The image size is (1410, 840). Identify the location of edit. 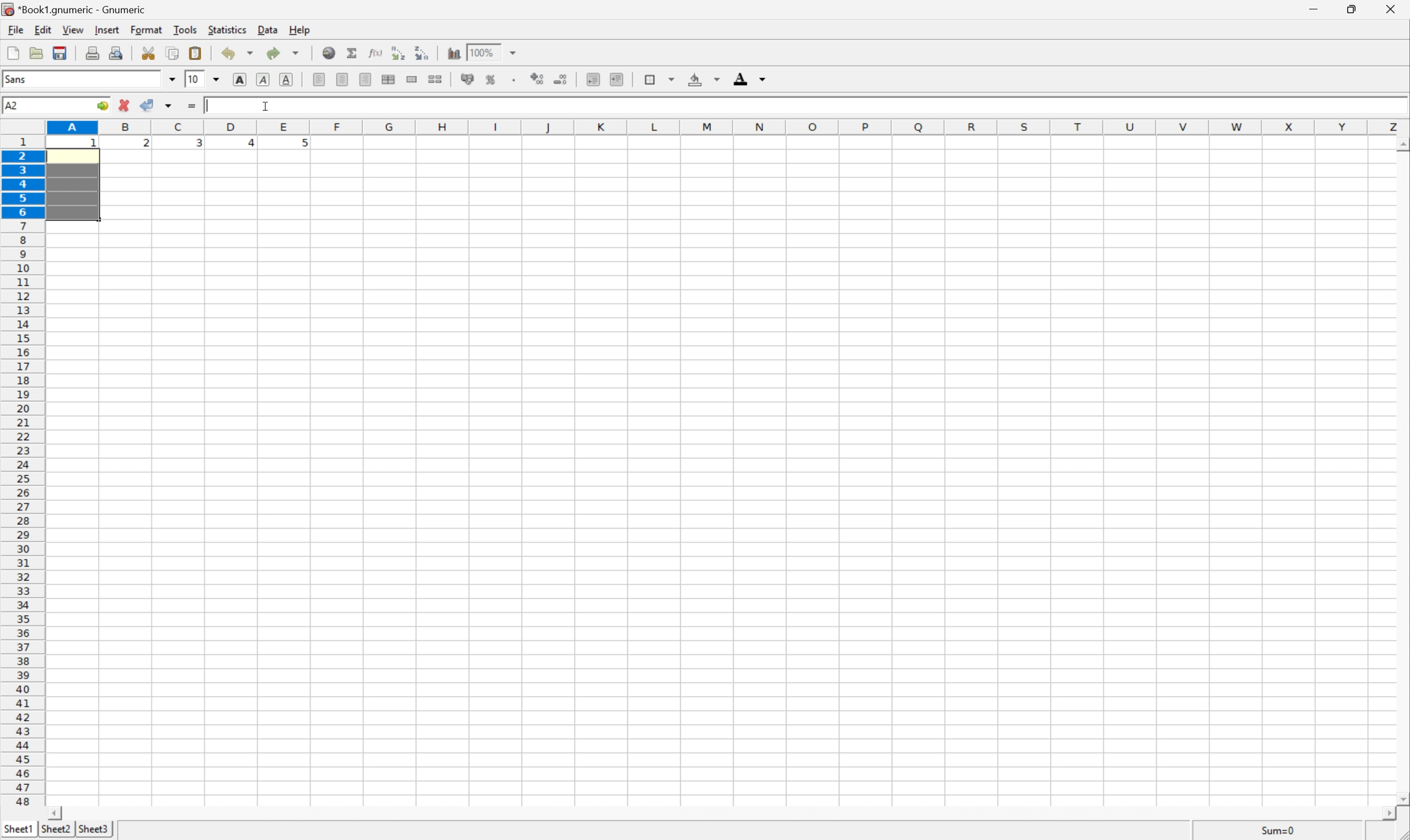
(41, 29).